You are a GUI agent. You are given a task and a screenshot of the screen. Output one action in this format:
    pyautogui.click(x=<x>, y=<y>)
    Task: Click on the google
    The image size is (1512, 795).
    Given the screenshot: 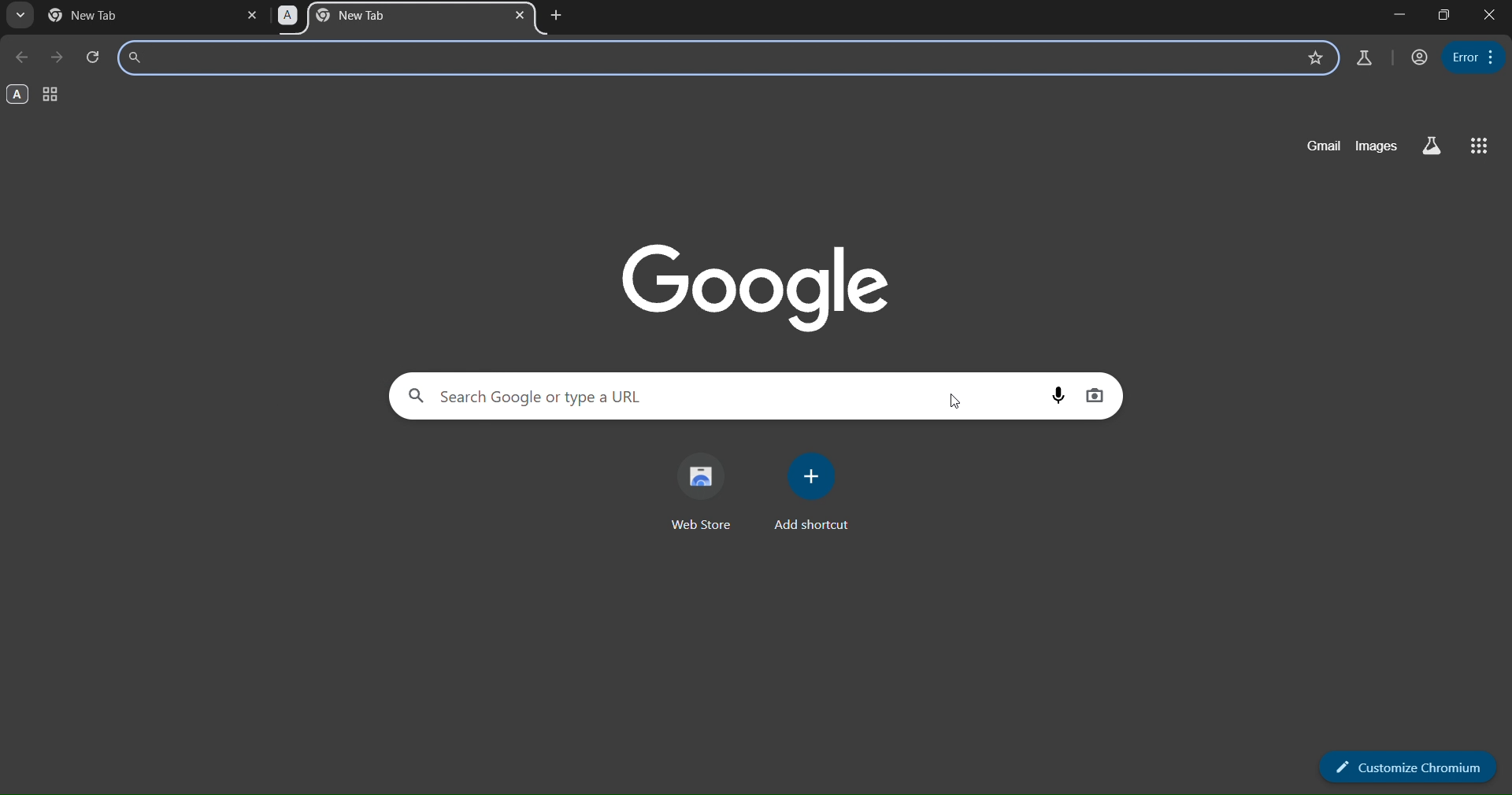 What is the action you would take?
    pyautogui.click(x=758, y=285)
    